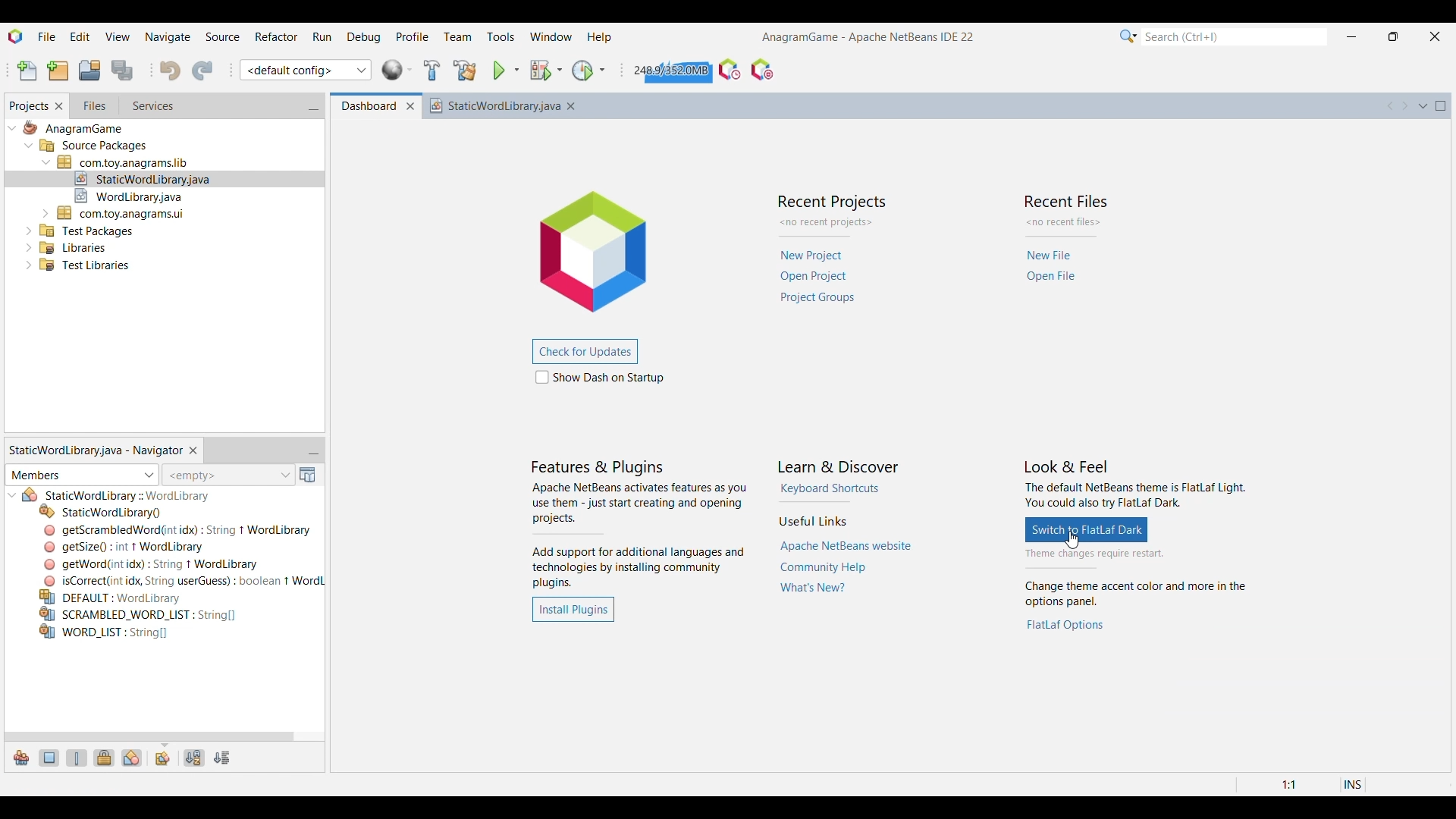  Describe the element at coordinates (1087, 529) in the screenshot. I see `Click to switch to dark mode` at that location.